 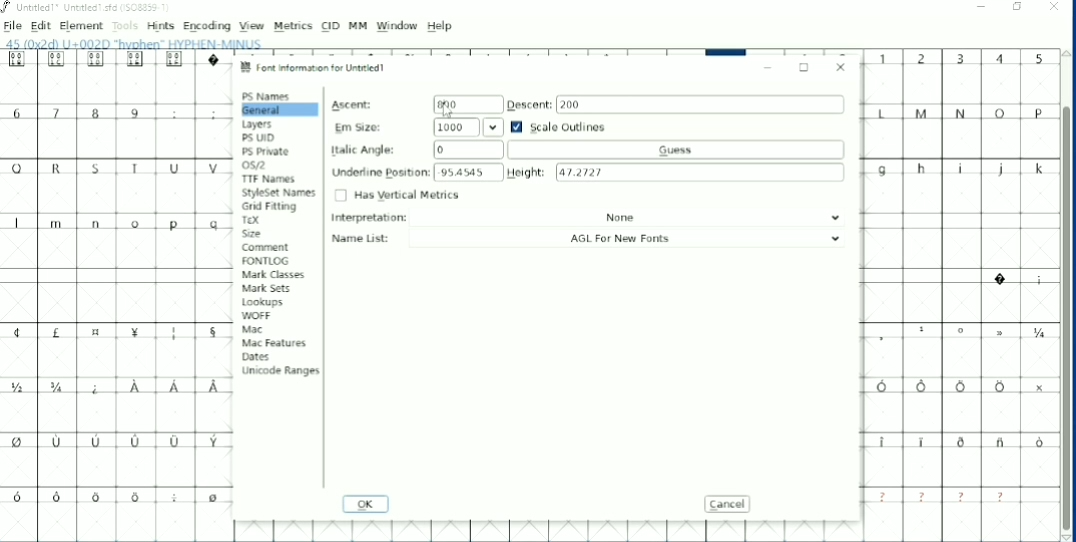 What do you see at coordinates (279, 193) in the screenshot?
I see `StyleSet Names` at bounding box center [279, 193].